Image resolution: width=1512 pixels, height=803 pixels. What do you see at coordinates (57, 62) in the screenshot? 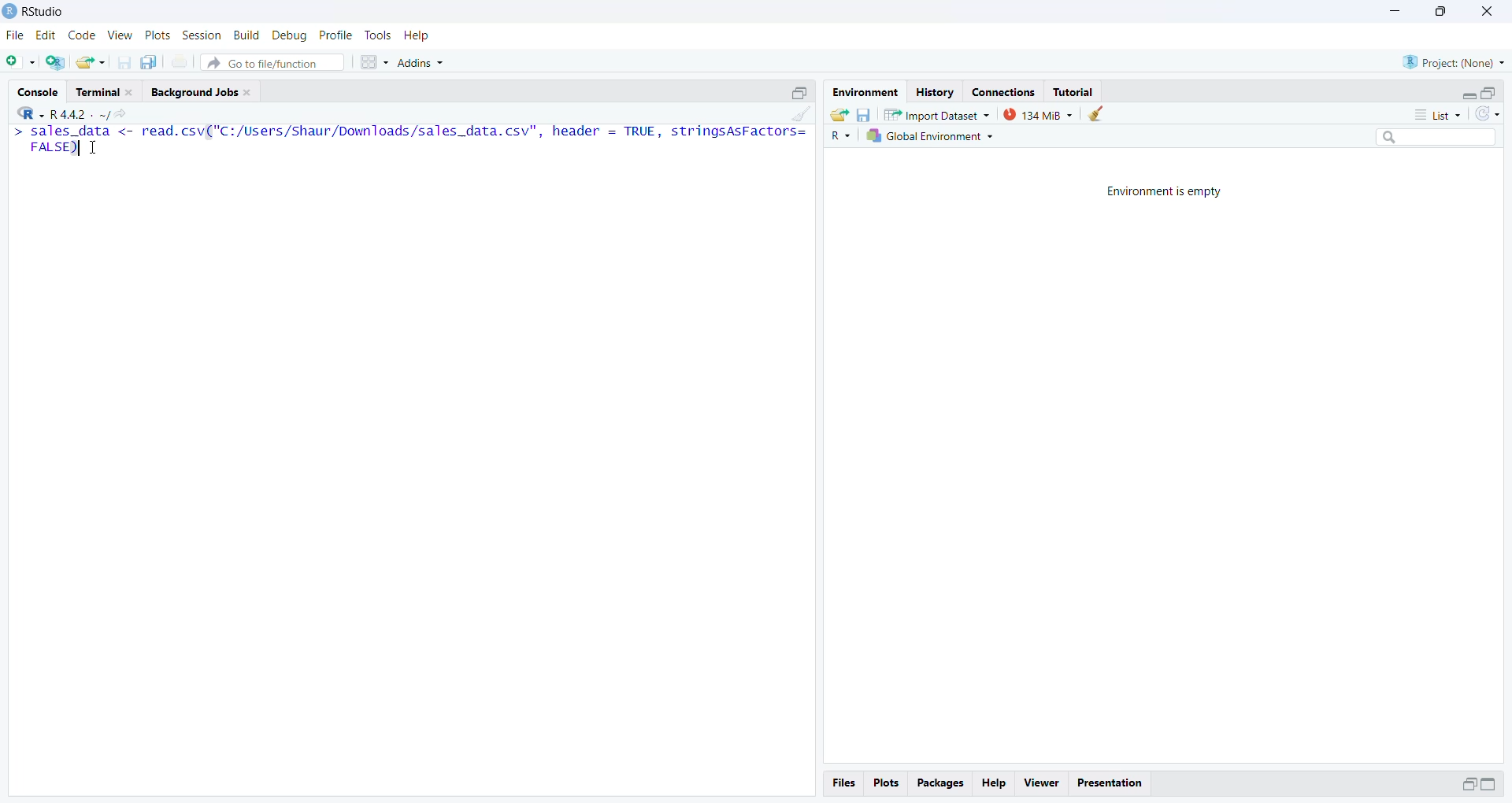
I see `Create a Project` at bounding box center [57, 62].